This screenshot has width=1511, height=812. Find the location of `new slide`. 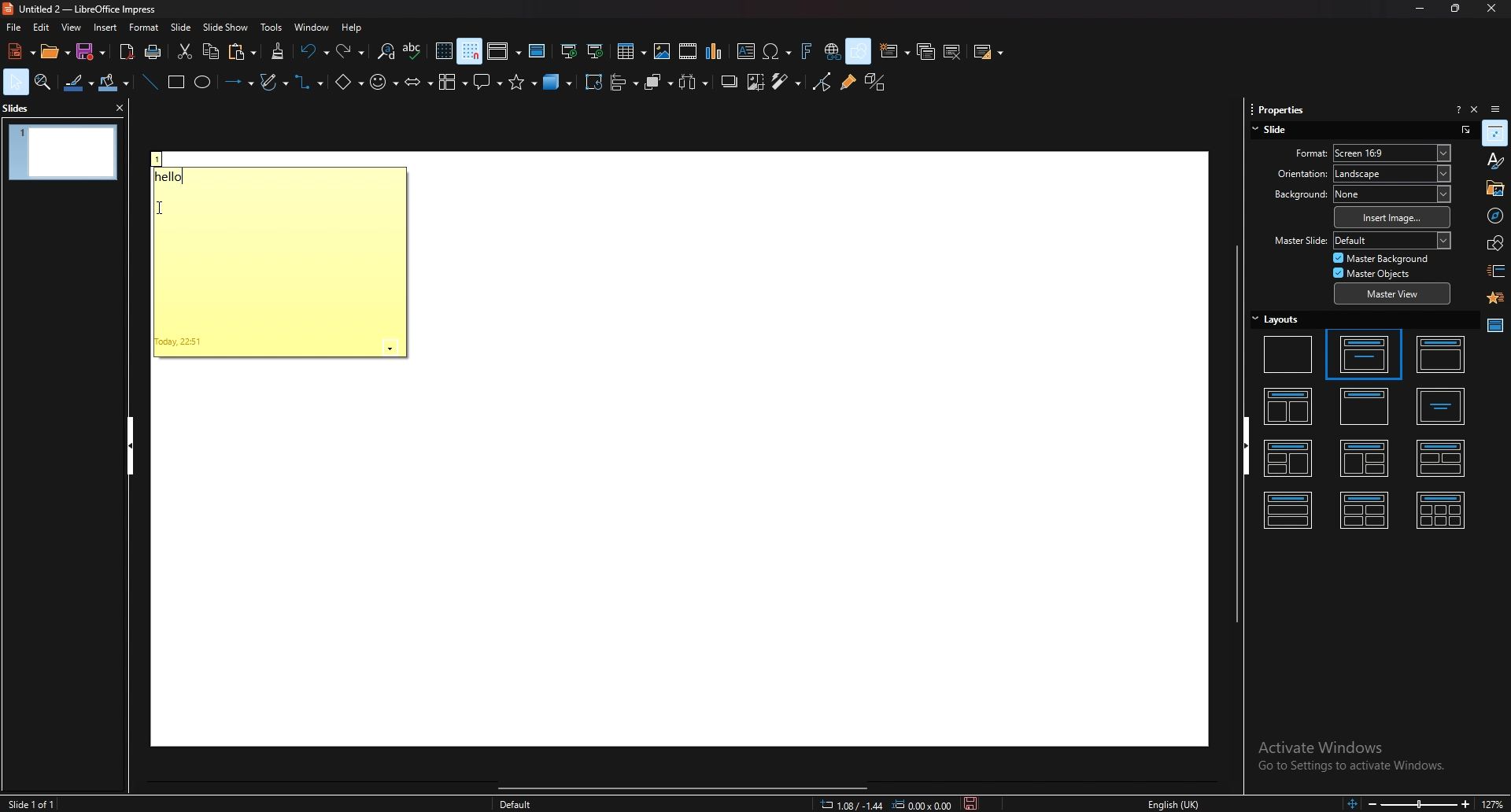

new slide is located at coordinates (896, 51).